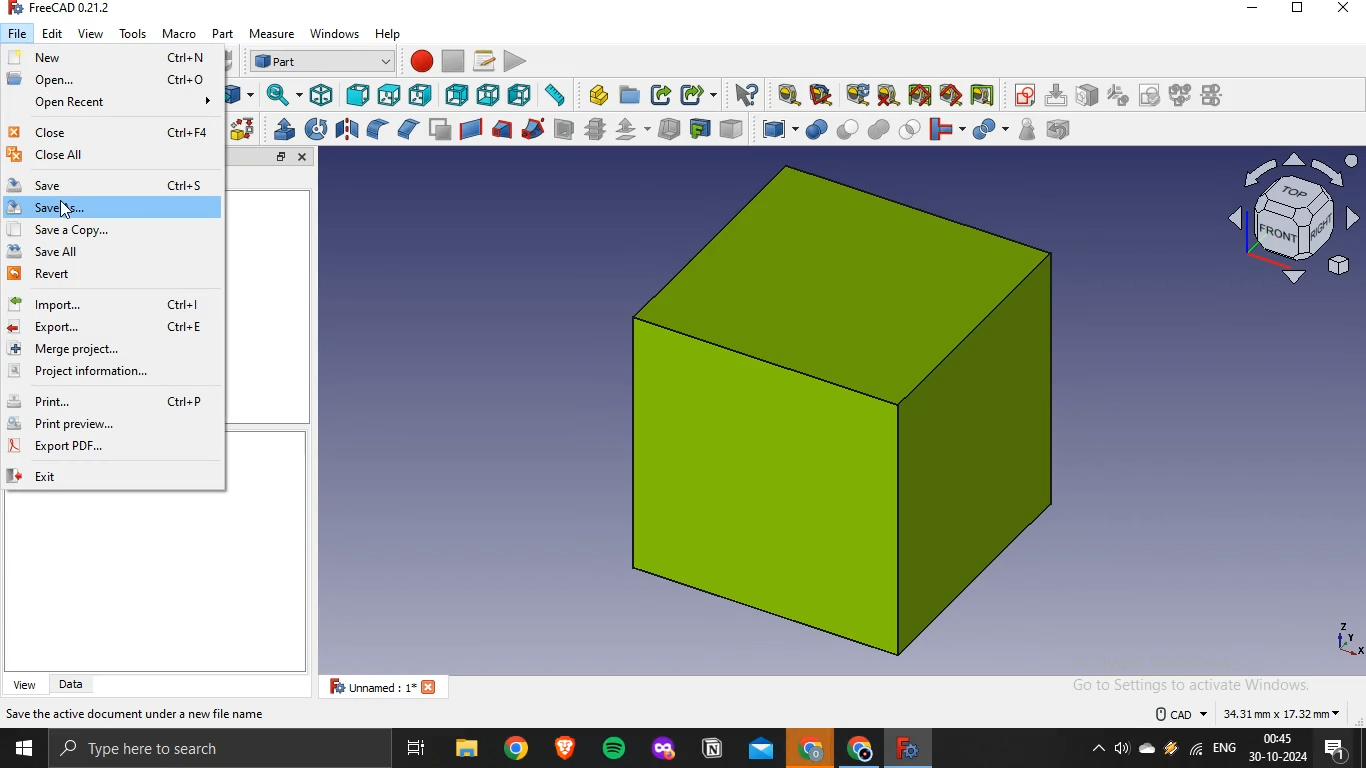 Image resolution: width=1366 pixels, height=768 pixels. I want to click on close, so click(108, 129).